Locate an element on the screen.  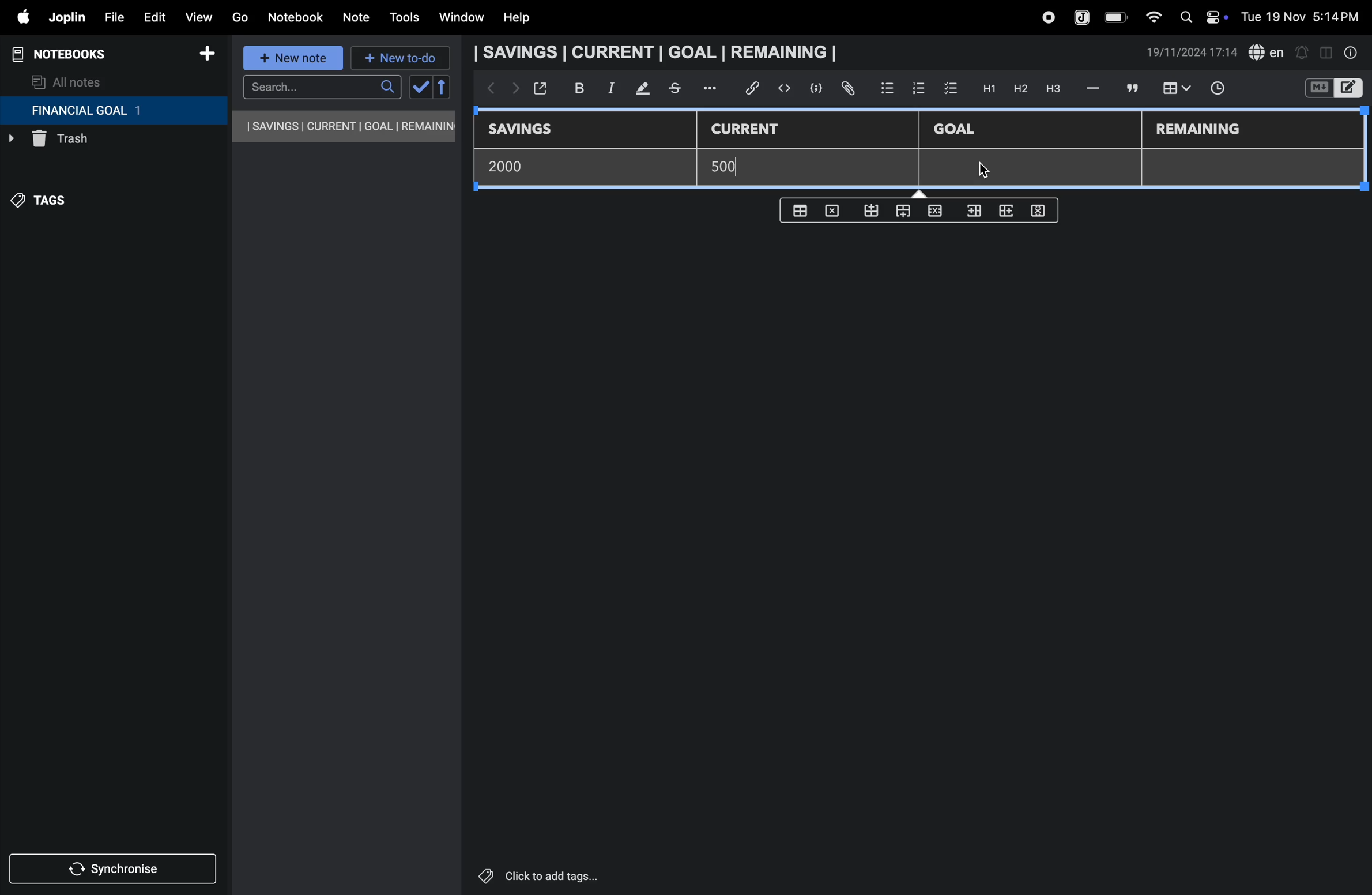
create table is located at coordinates (802, 208).